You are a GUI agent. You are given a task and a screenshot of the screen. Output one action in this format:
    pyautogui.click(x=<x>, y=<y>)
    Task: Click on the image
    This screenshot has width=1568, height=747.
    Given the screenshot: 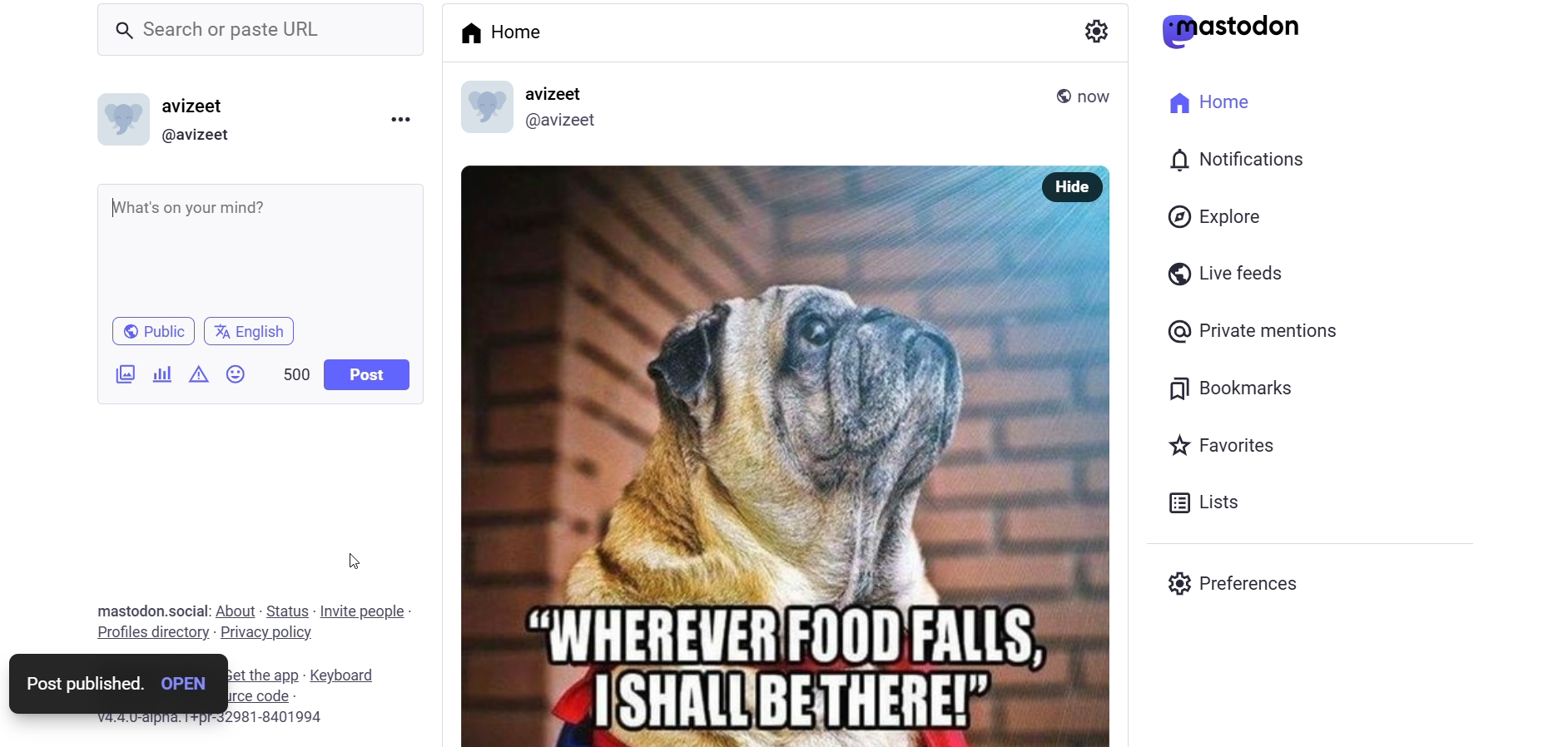 What is the action you would take?
    pyautogui.click(x=763, y=458)
    